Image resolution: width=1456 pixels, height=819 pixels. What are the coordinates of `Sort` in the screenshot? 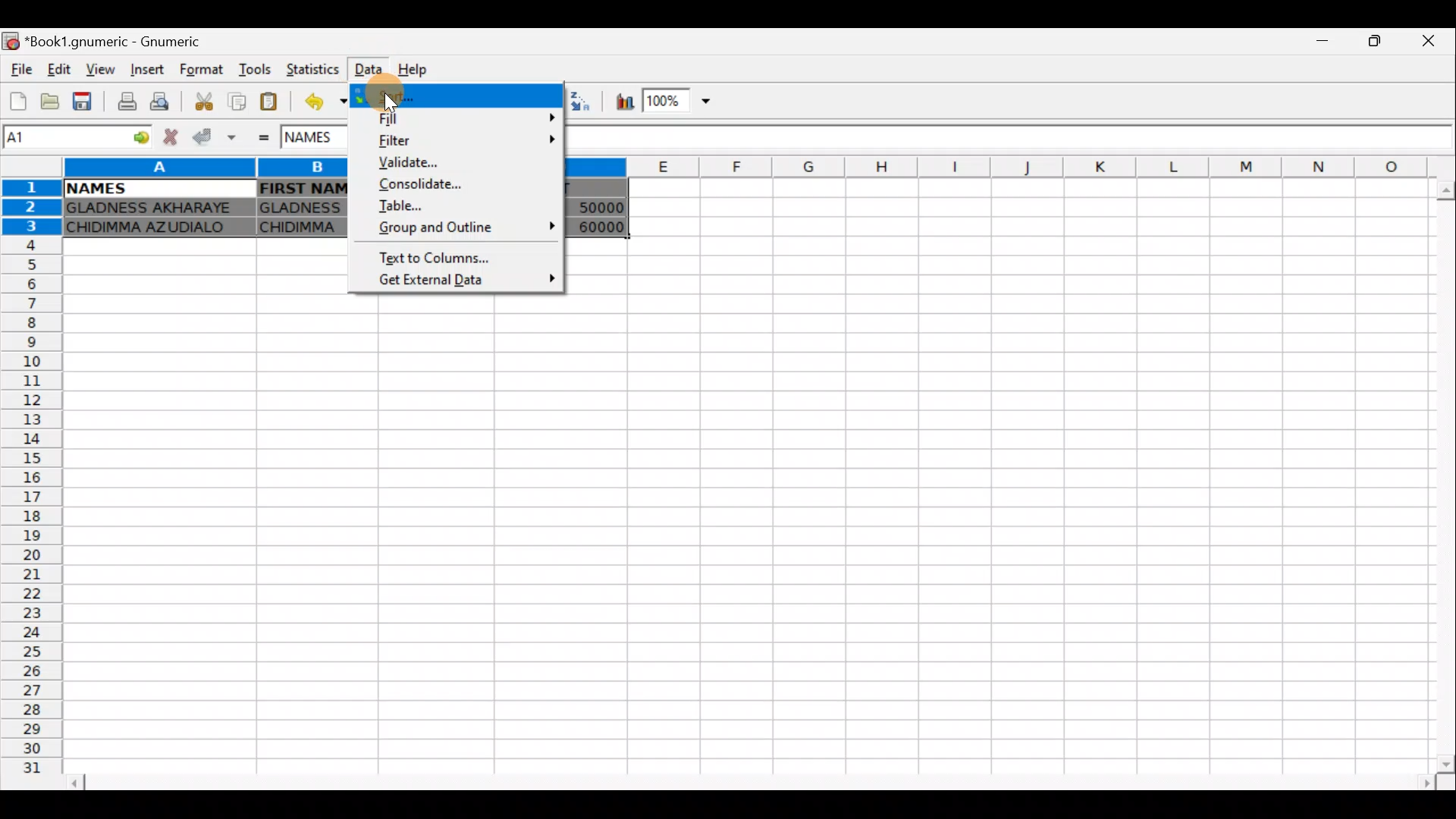 It's located at (450, 96).